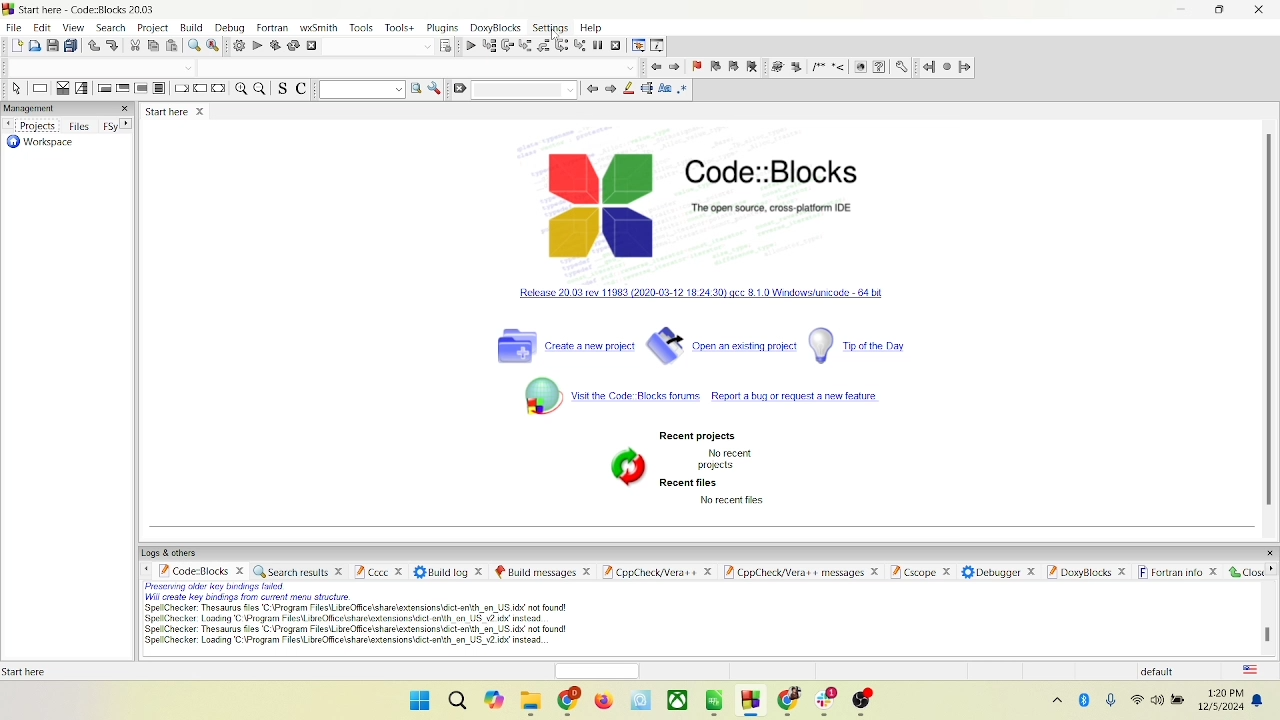  Describe the element at coordinates (12, 28) in the screenshot. I see `file` at that location.